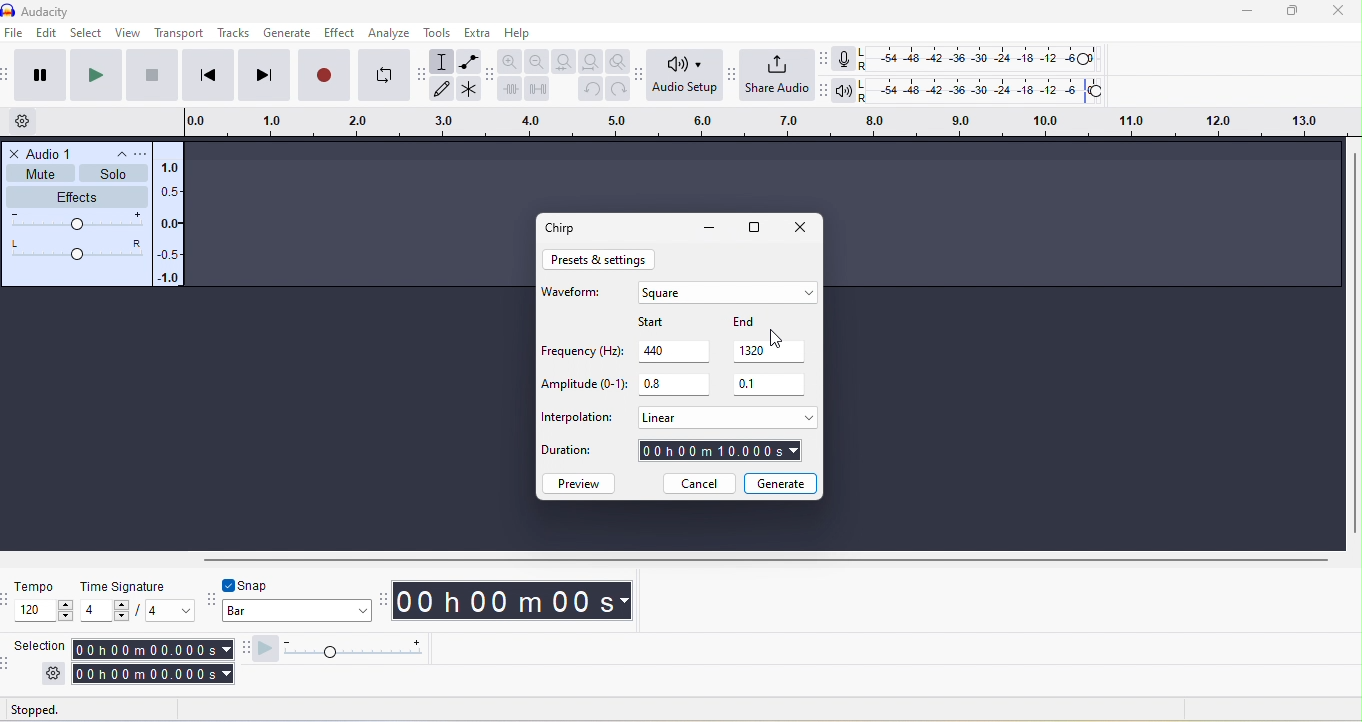 This screenshot has width=1362, height=722. I want to click on tempo, so click(35, 586).